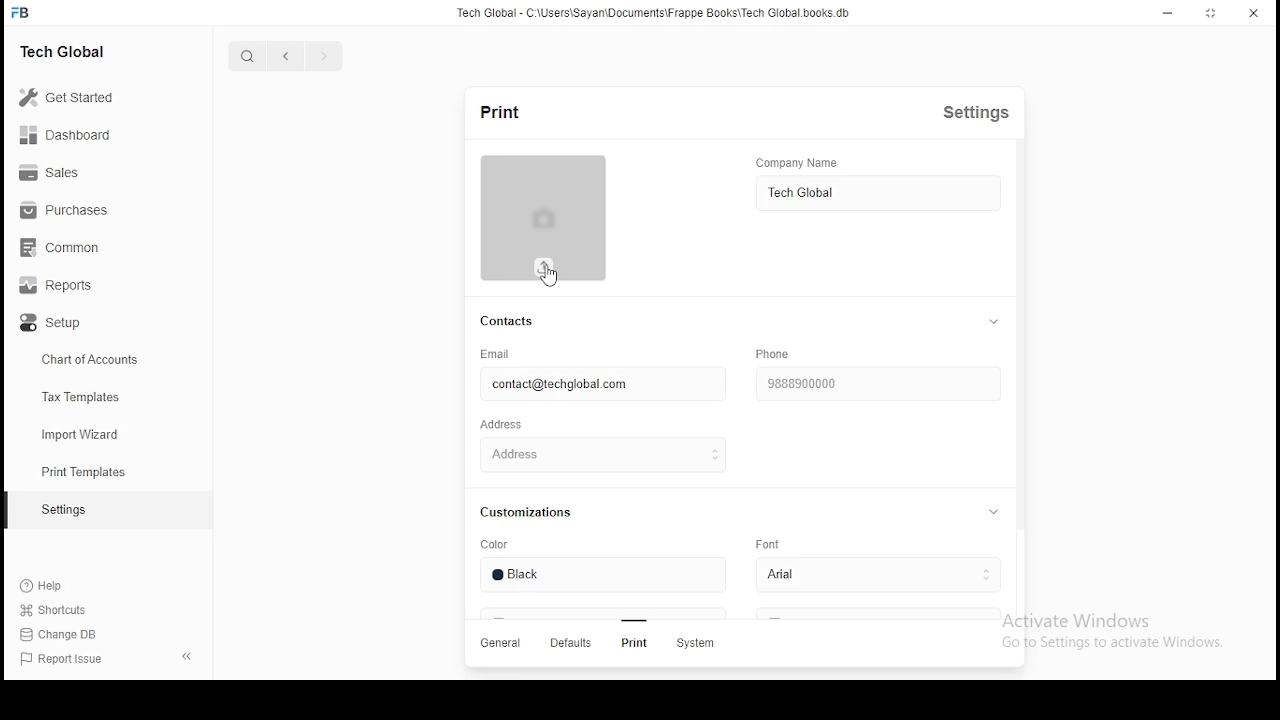  I want to click on MINIMIZE , so click(1171, 12).